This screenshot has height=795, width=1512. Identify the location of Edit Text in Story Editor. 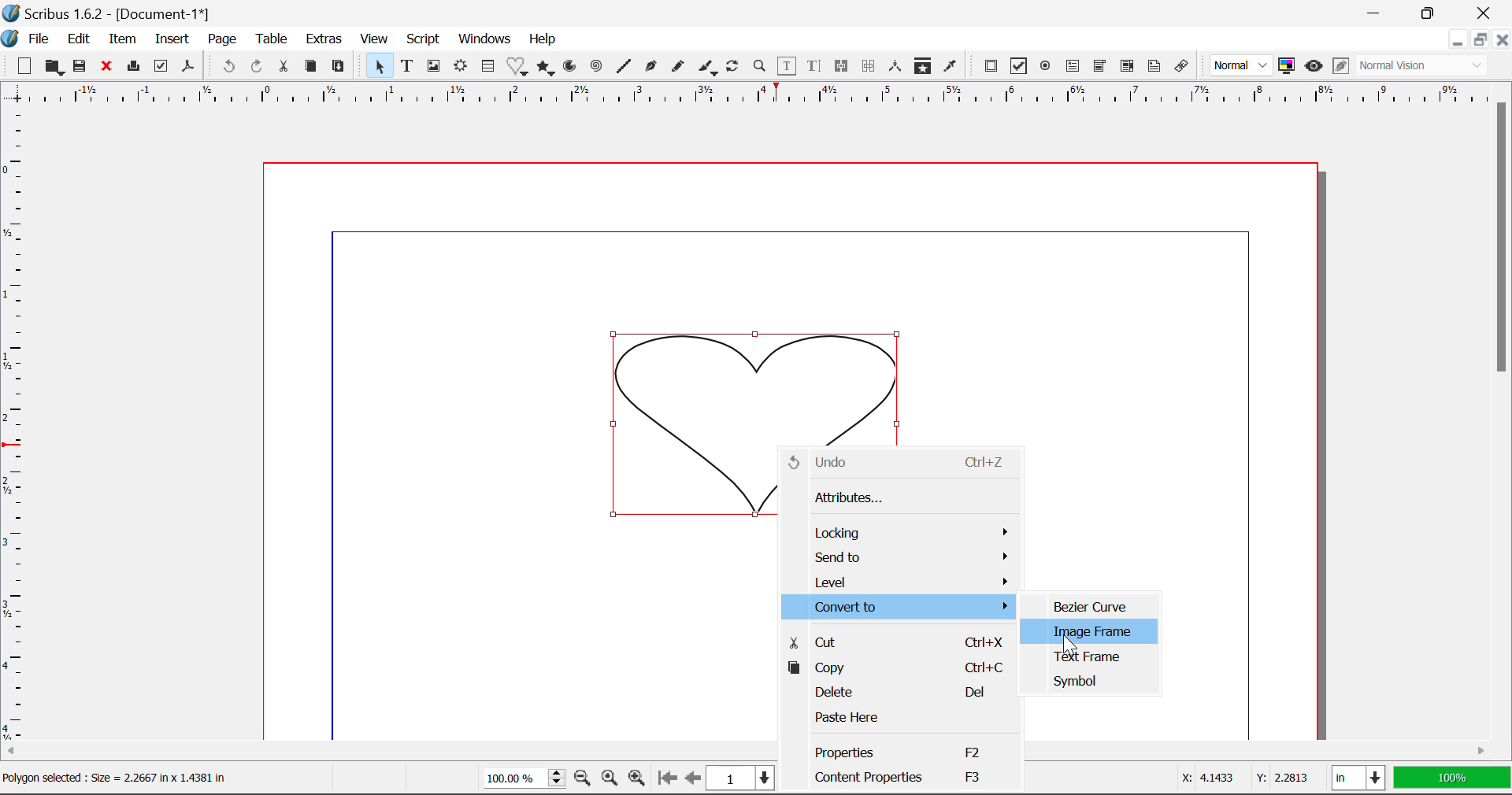
(814, 68).